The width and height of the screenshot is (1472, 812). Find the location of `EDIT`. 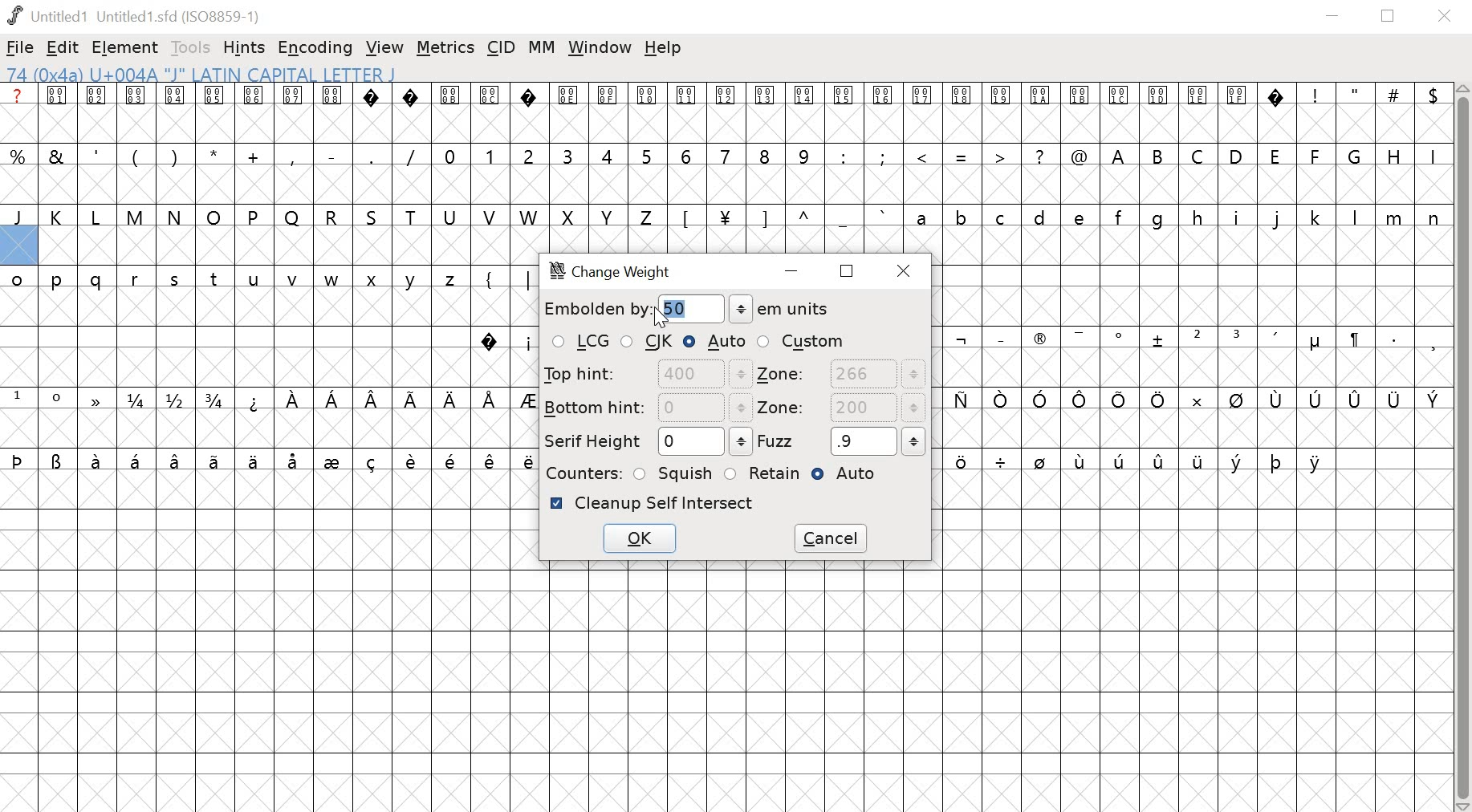

EDIT is located at coordinates (63, 49).